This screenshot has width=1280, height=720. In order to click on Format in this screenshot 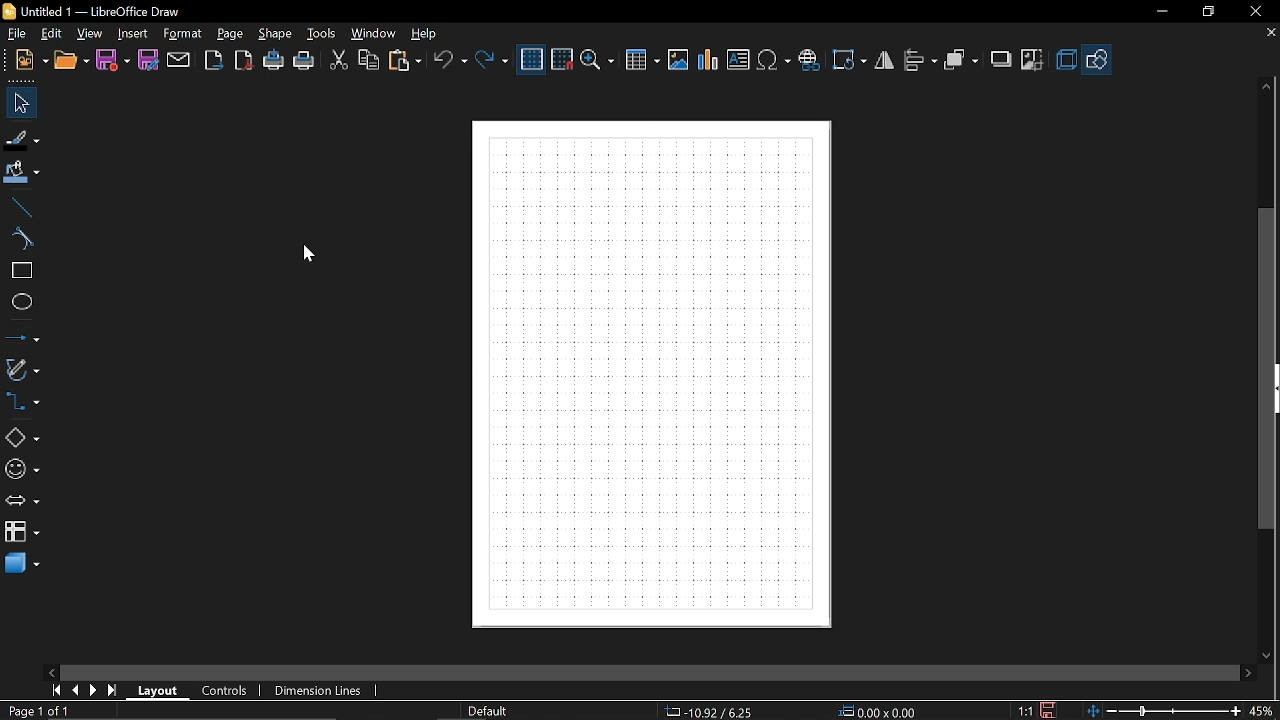, I will do `click(181, 35)`.